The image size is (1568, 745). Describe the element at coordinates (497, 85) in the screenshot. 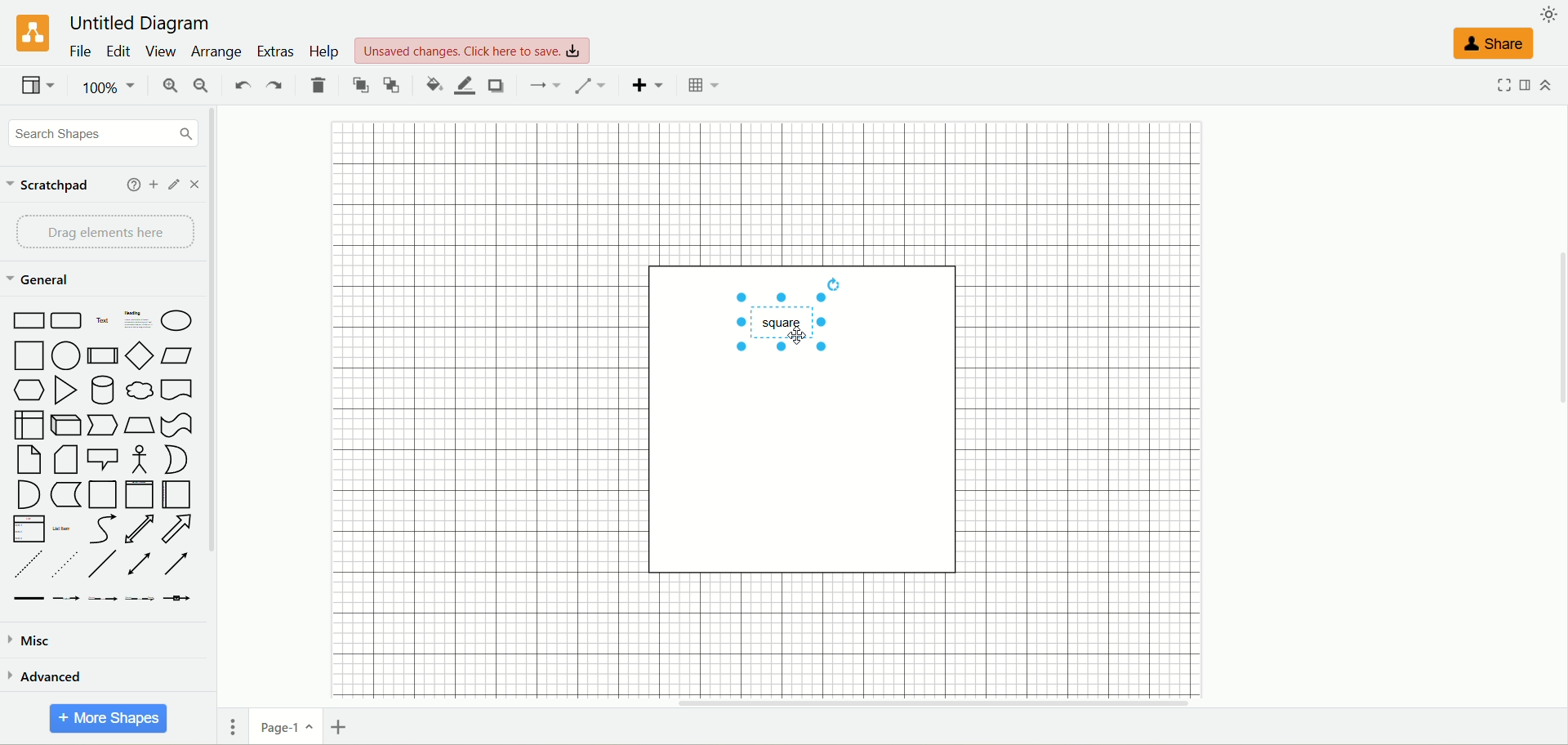

I see `shadow` at that location.